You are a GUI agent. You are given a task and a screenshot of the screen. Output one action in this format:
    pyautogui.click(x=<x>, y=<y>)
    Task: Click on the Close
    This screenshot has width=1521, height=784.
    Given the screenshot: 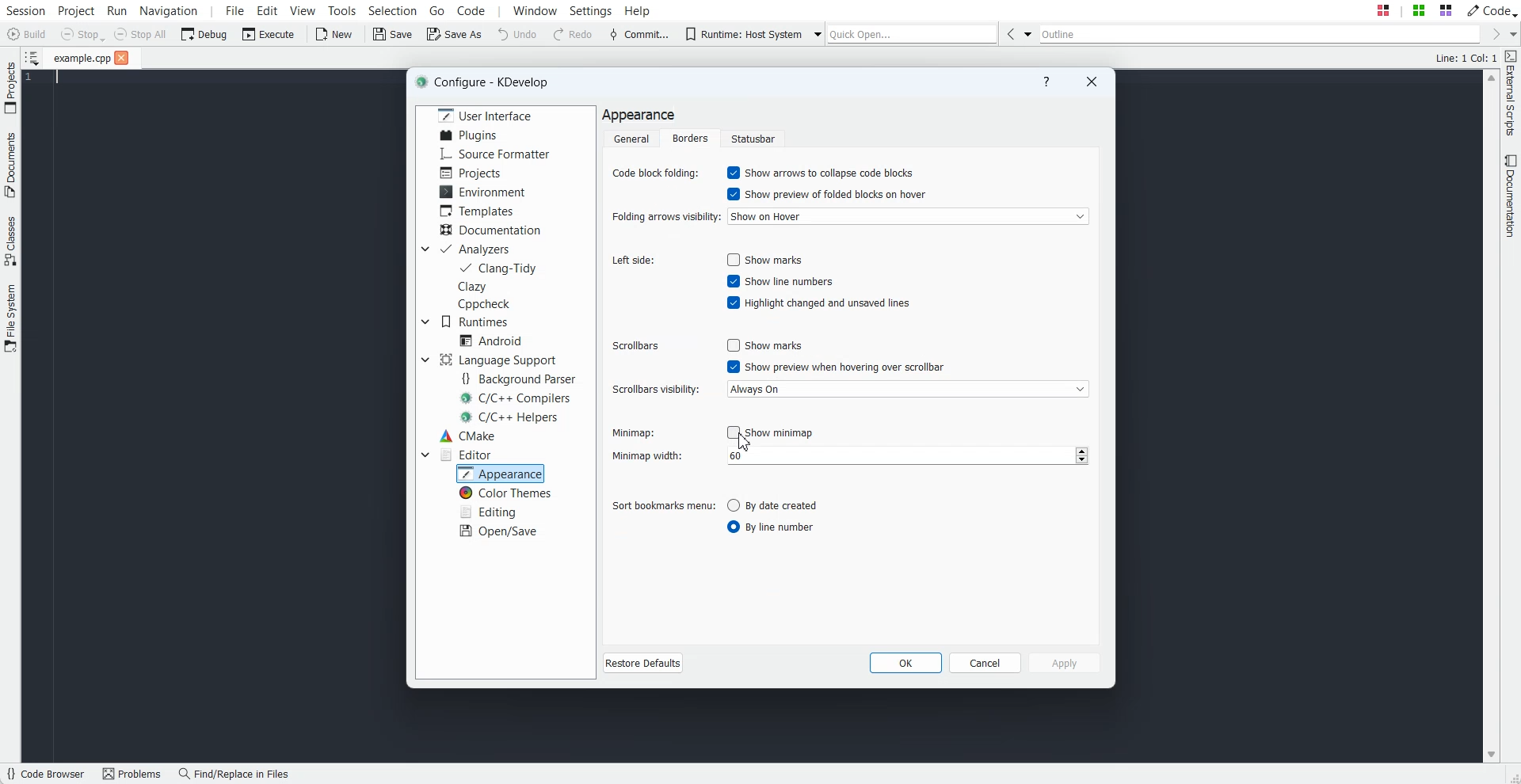 What is the action you would take?
    pyautogui.click(x=1089, y=82)
    